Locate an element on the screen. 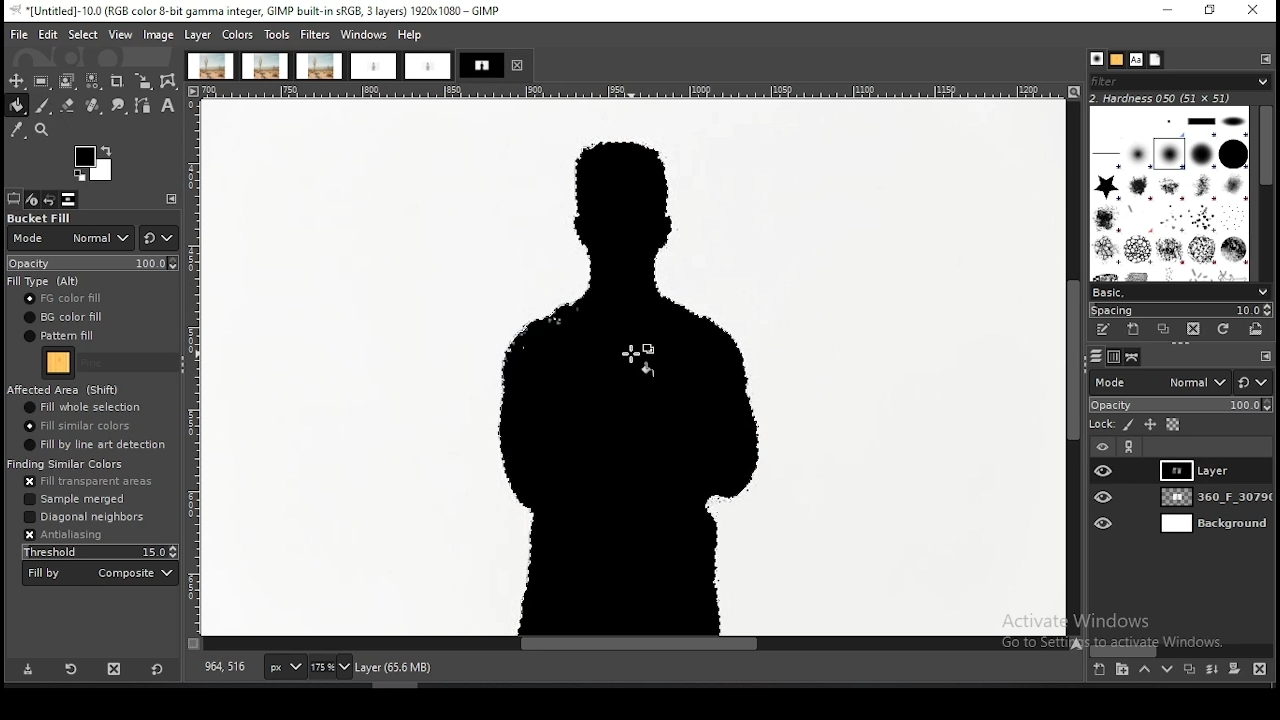  delete layer is located at coordinates (1263, 671).